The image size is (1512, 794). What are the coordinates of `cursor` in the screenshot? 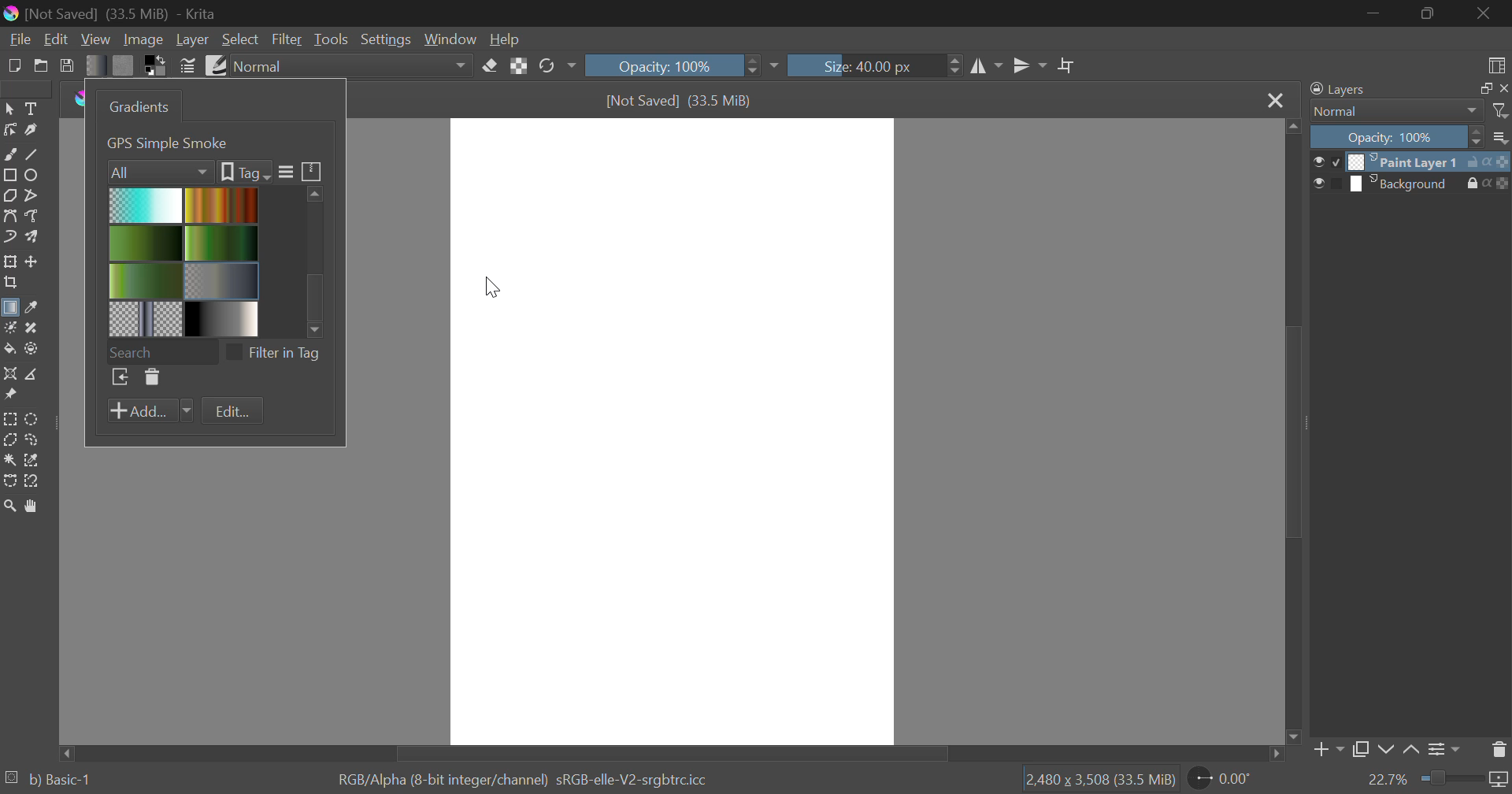 It's located at (495, 286).